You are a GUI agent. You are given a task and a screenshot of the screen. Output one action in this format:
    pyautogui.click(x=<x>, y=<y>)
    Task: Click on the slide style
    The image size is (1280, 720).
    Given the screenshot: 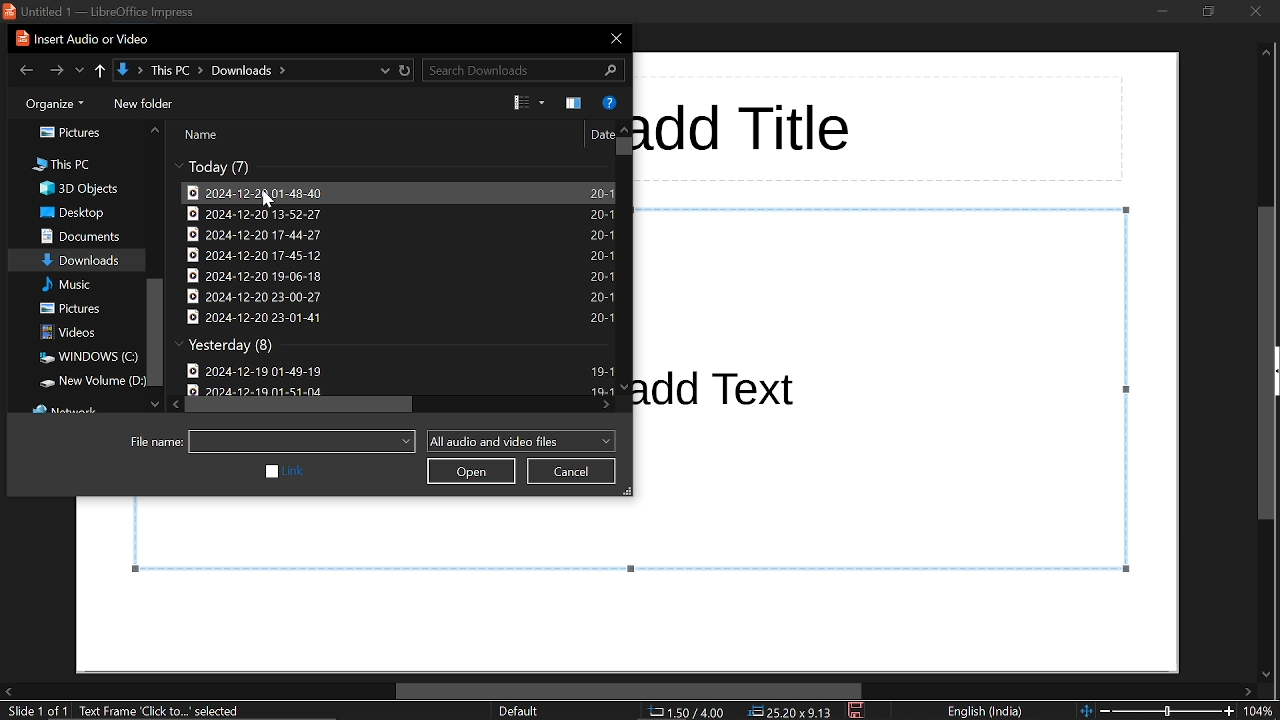 What is the action you would take?
    pyautogui.click(x=518, y=711)
    